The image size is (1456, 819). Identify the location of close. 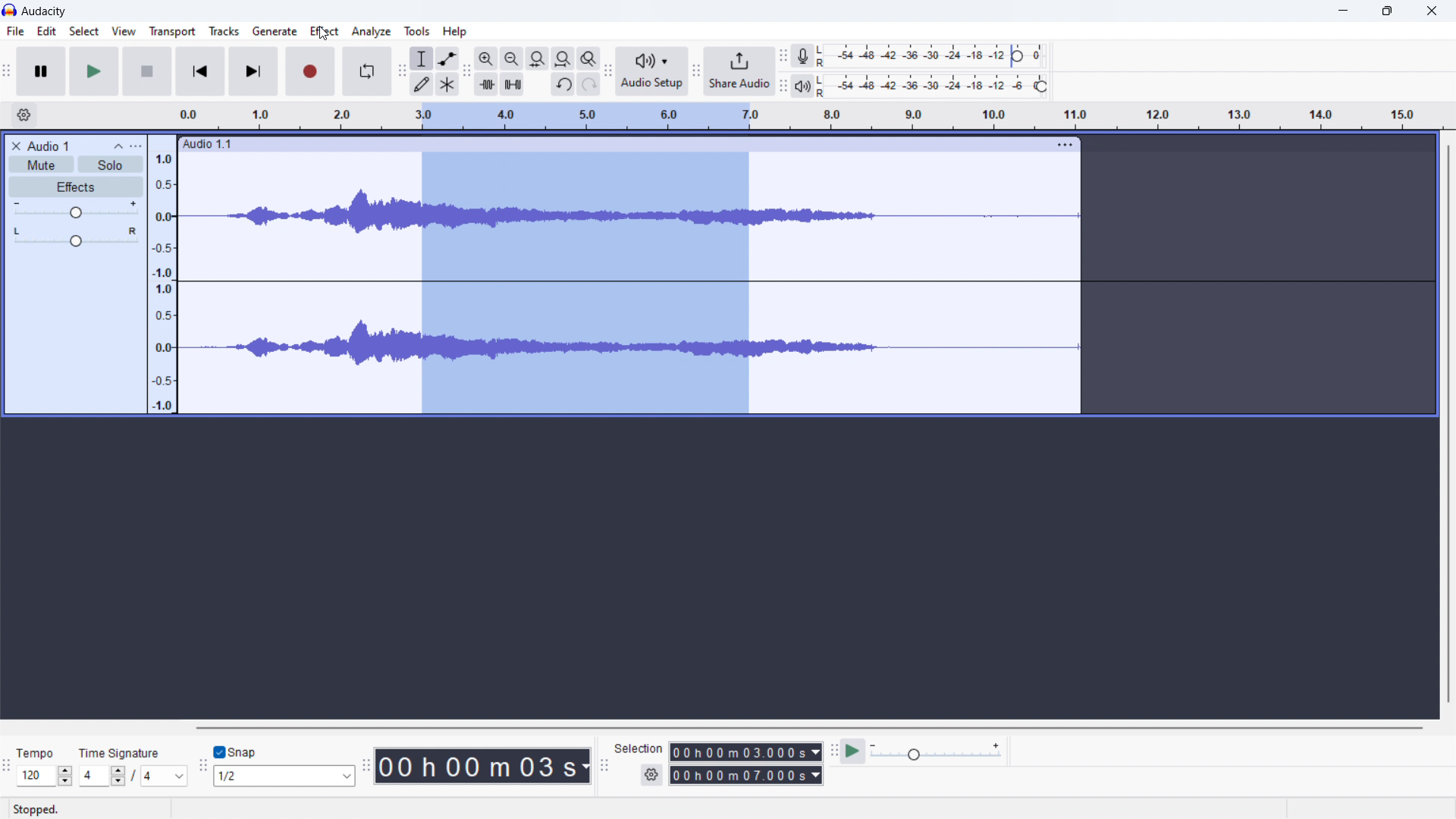
(1432, 11).